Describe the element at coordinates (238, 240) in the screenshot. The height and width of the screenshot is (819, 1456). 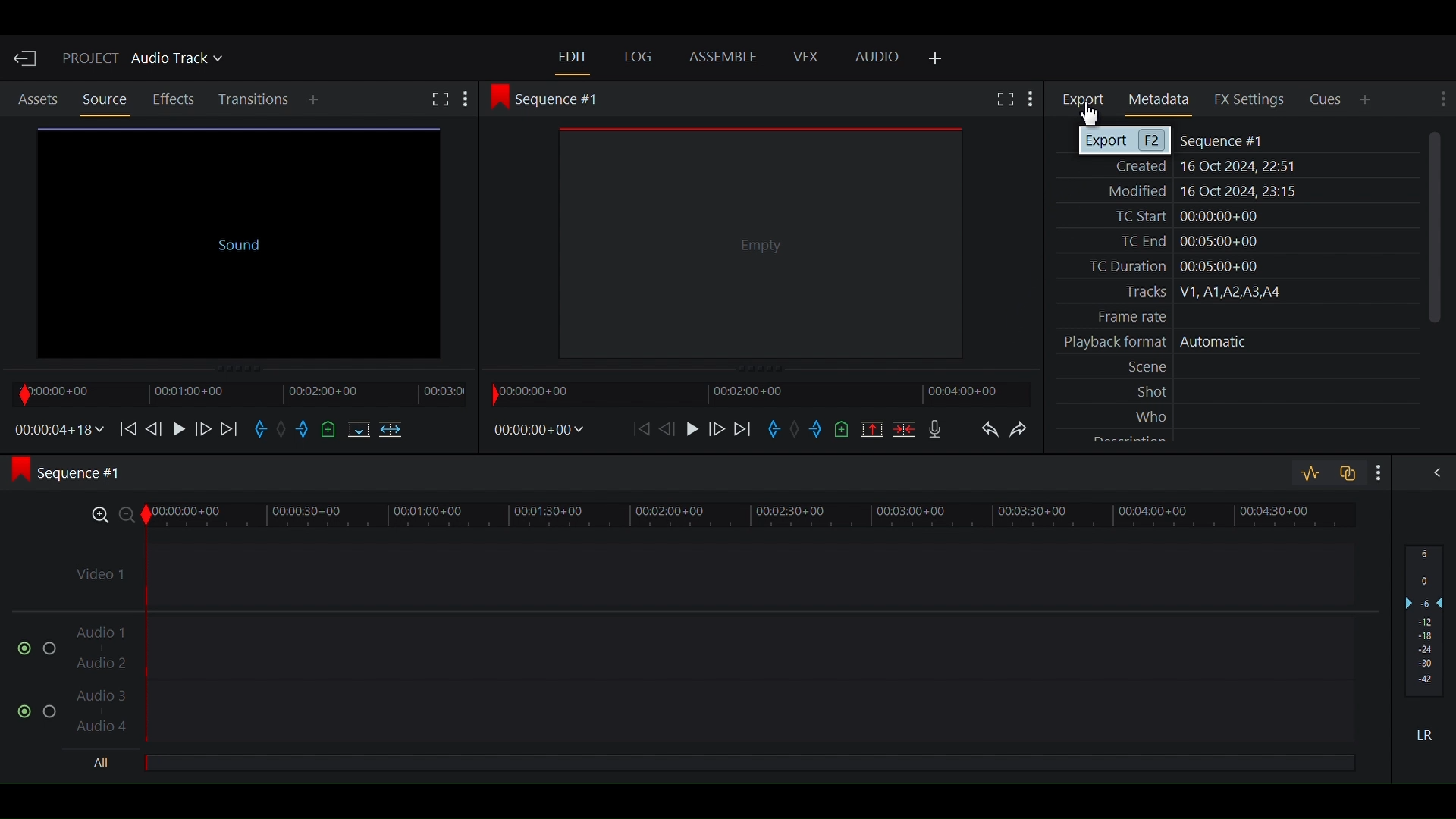
I see `Sound` at that location.